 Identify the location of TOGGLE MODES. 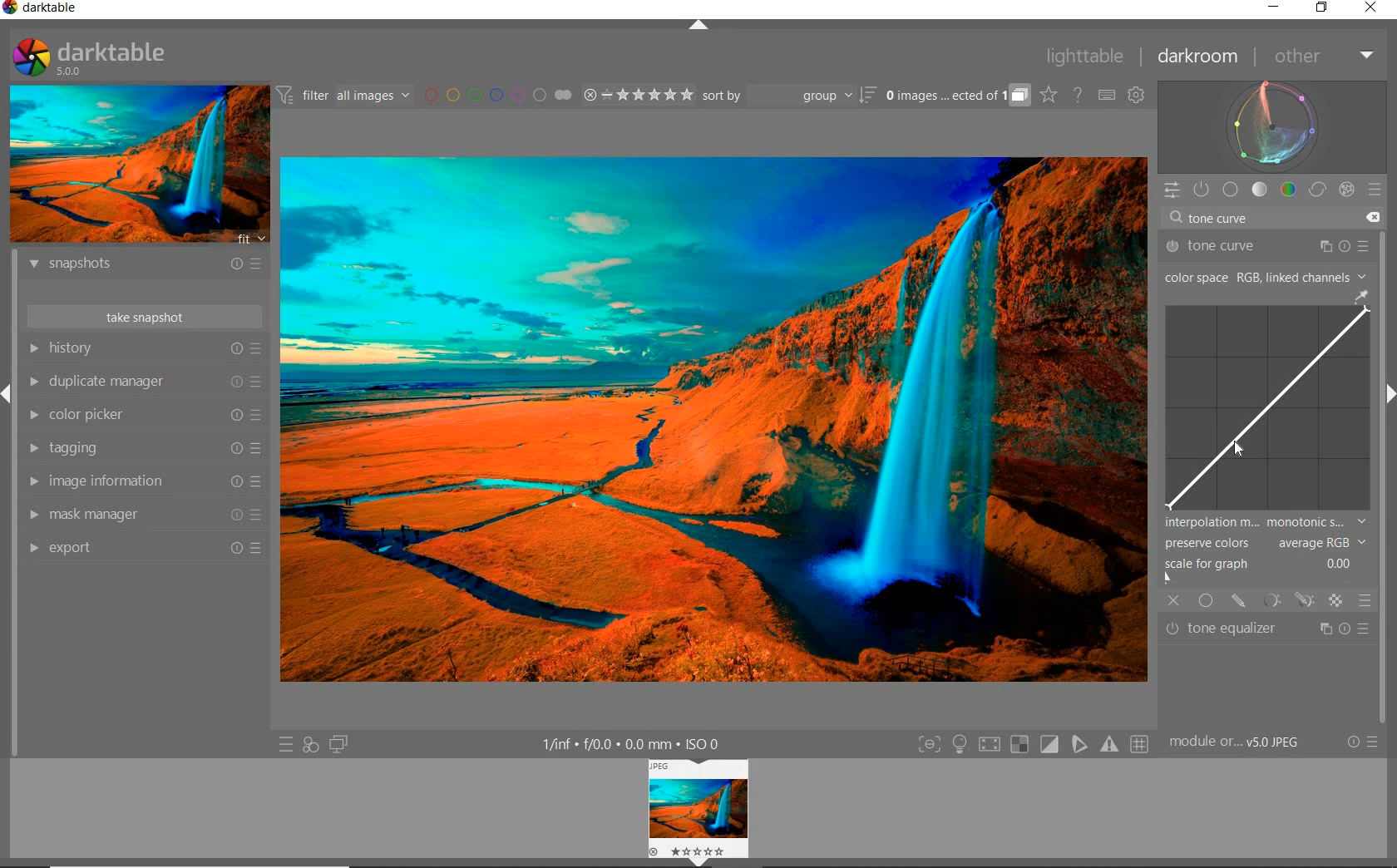
(1032, 745).